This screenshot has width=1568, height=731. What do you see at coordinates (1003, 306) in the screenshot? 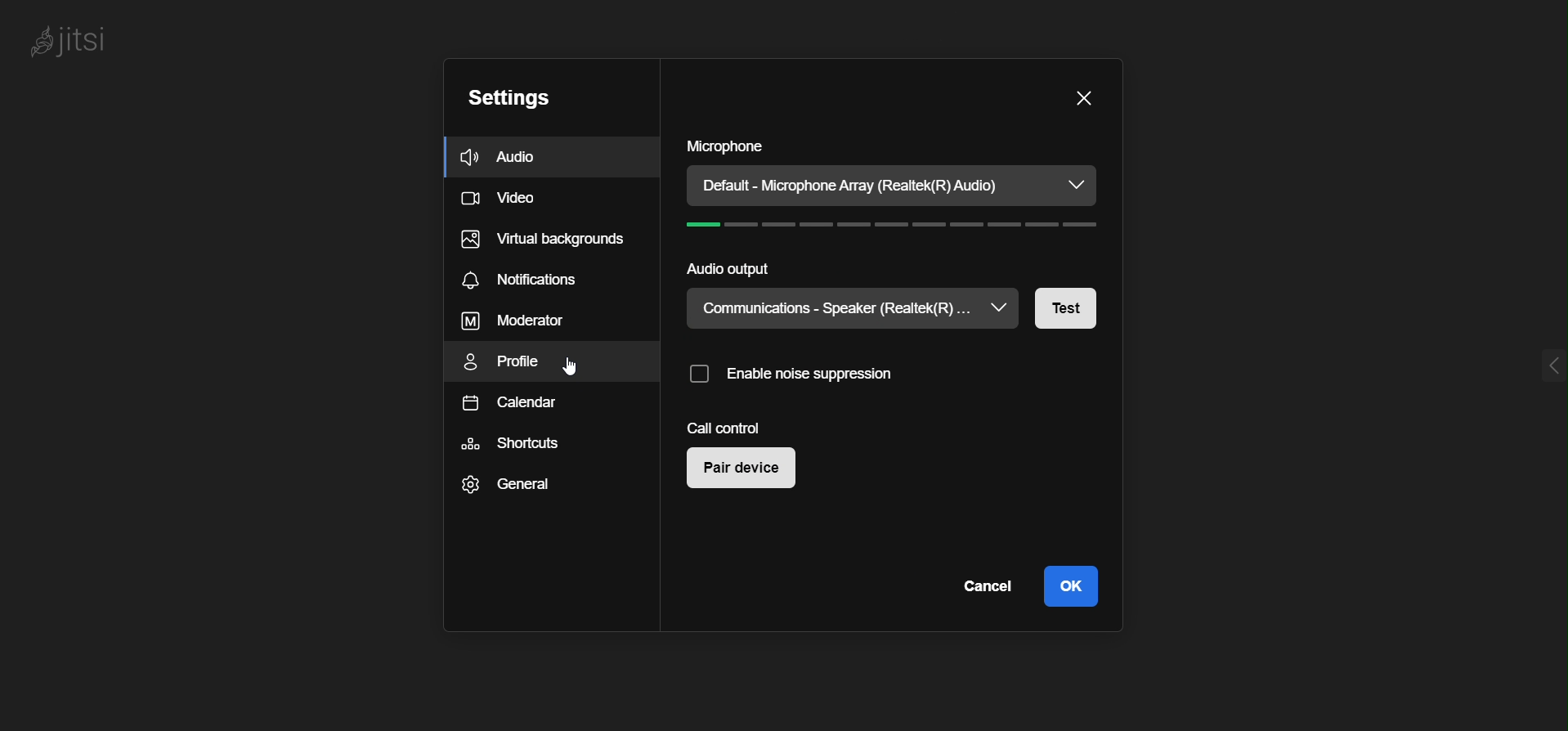
I see `speaker dropdown` at bounding box center [1003, 306].